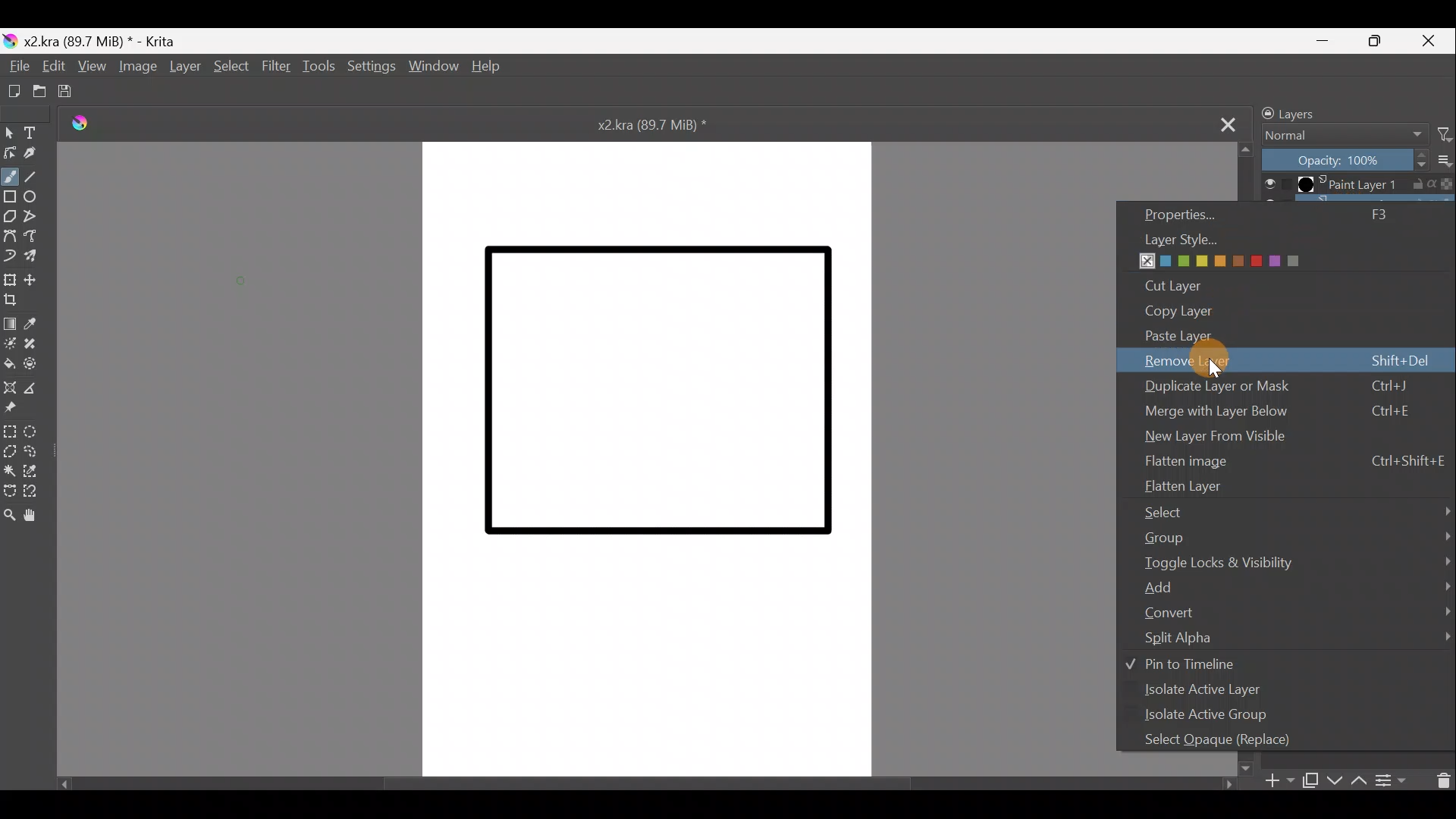  Describe the element at coordinates (656, 124) in the screenshot. I see `x2.kra (89.7 MiB) *` at that location.